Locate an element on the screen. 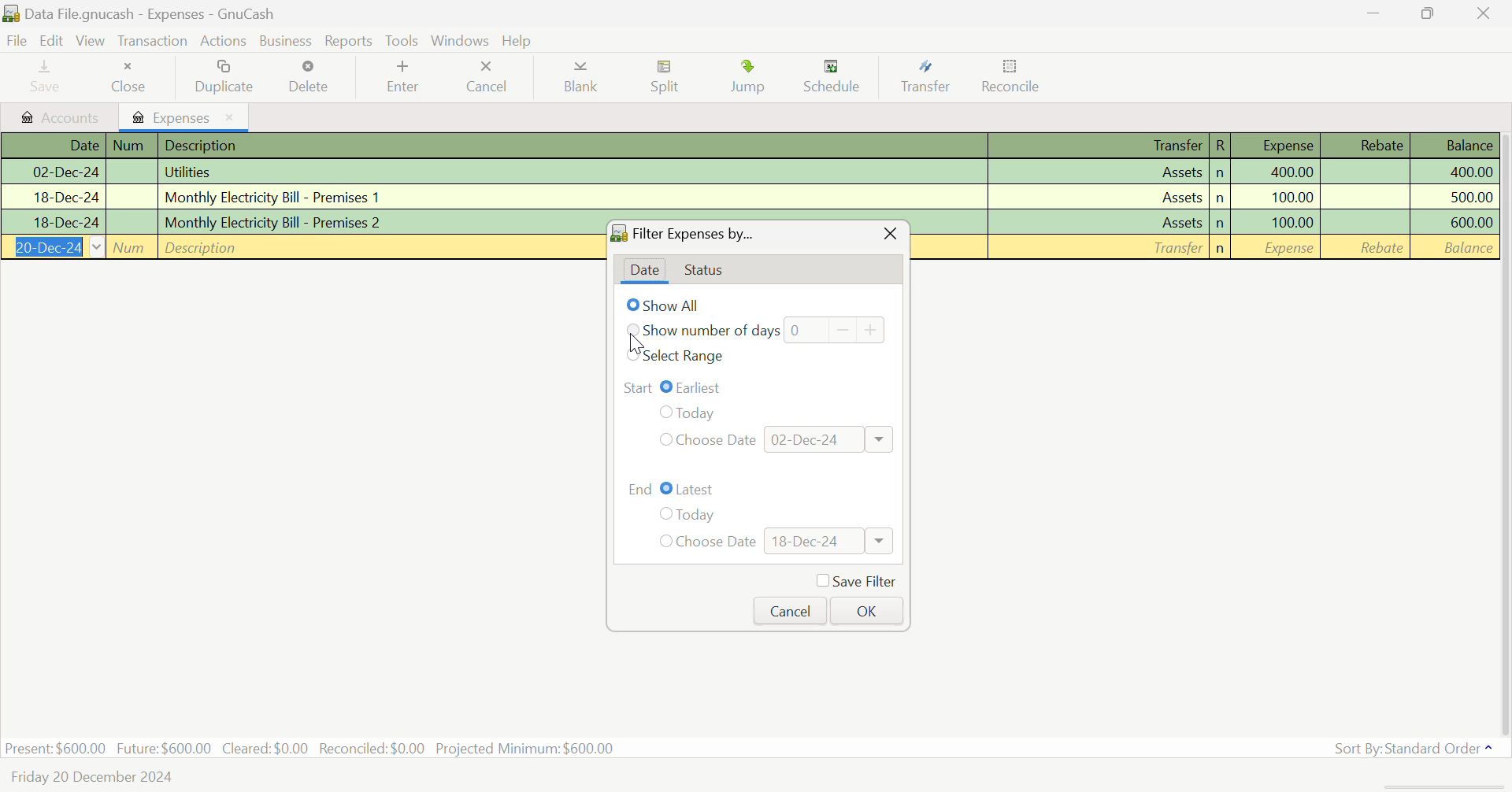  Assets is located at coordinates (1098, 171).